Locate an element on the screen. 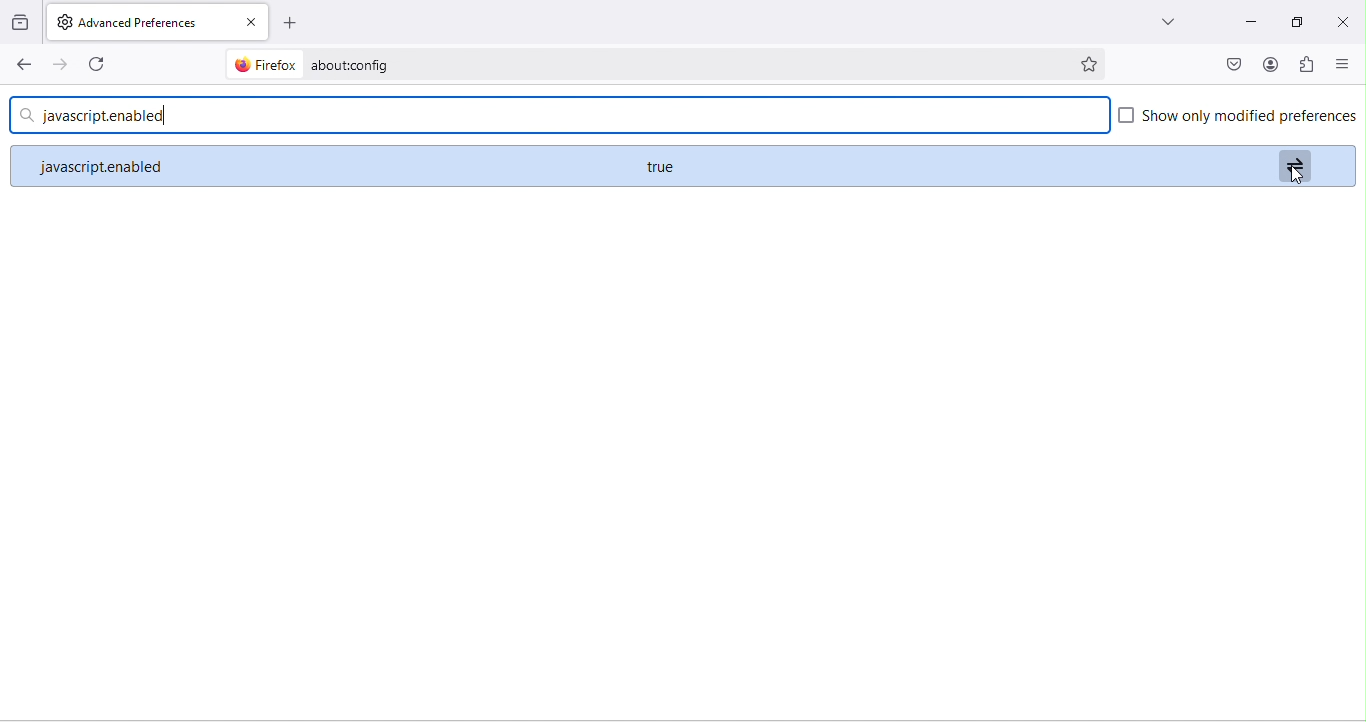 The height and width of the screenshot is (722, 1366). close or open sidebar is located at coordinates (1347, 64).